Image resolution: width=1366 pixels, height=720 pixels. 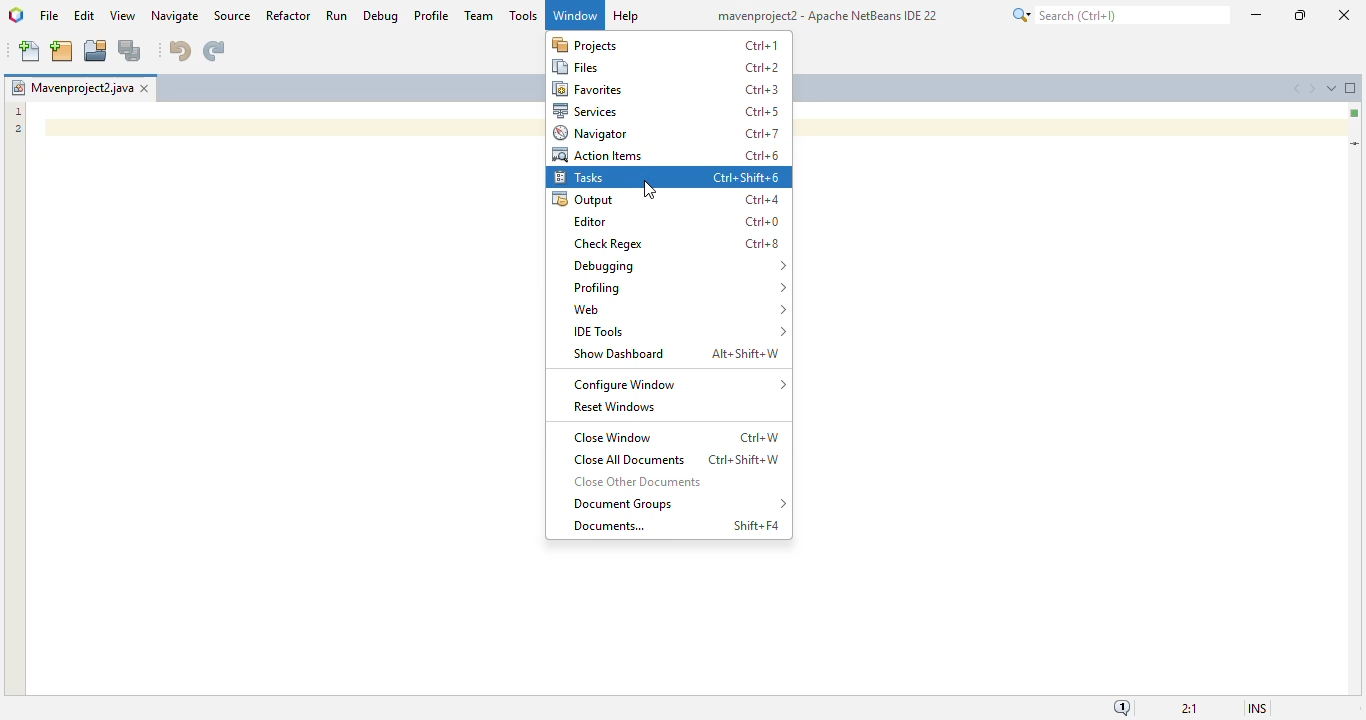 What do you see at coordinates (1346, 15) in the screenshot?
I see `close` at bounding box center [1346, 15].